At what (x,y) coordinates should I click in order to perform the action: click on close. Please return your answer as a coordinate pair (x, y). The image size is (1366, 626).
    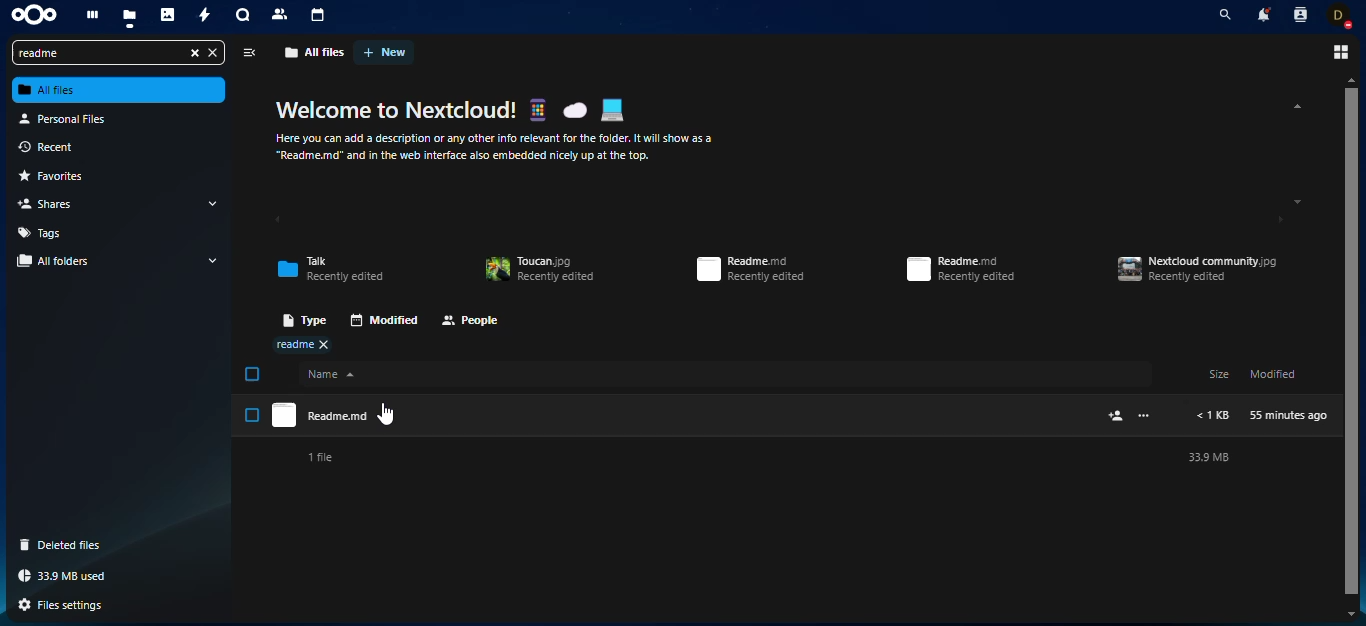
    Looking at the image, I should click on (213, 53).